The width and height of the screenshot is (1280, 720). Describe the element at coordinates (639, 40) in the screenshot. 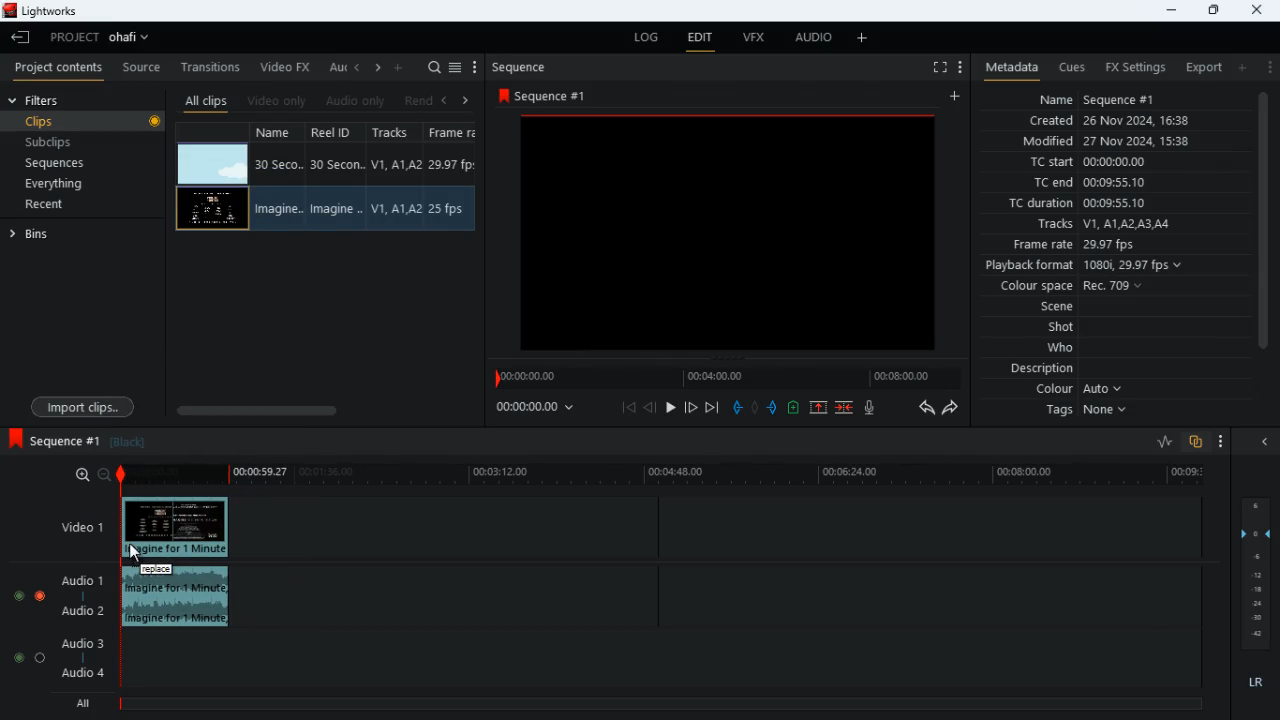

I see `log` at that location.